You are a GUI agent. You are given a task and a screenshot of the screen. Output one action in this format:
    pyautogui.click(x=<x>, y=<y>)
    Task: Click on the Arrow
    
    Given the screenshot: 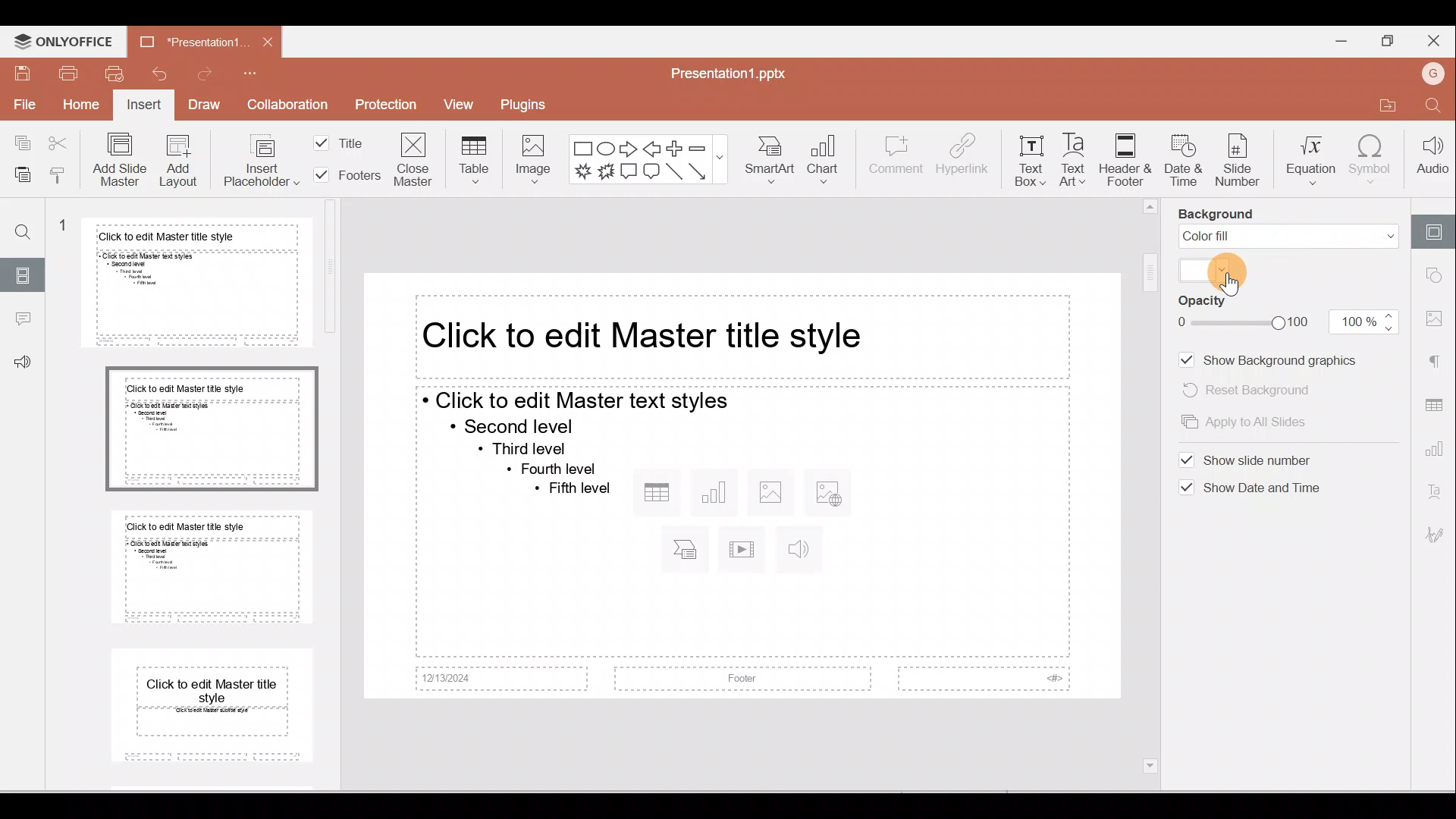 What is the action you would take?
    pyautogui.click(x=699, y=171)
    